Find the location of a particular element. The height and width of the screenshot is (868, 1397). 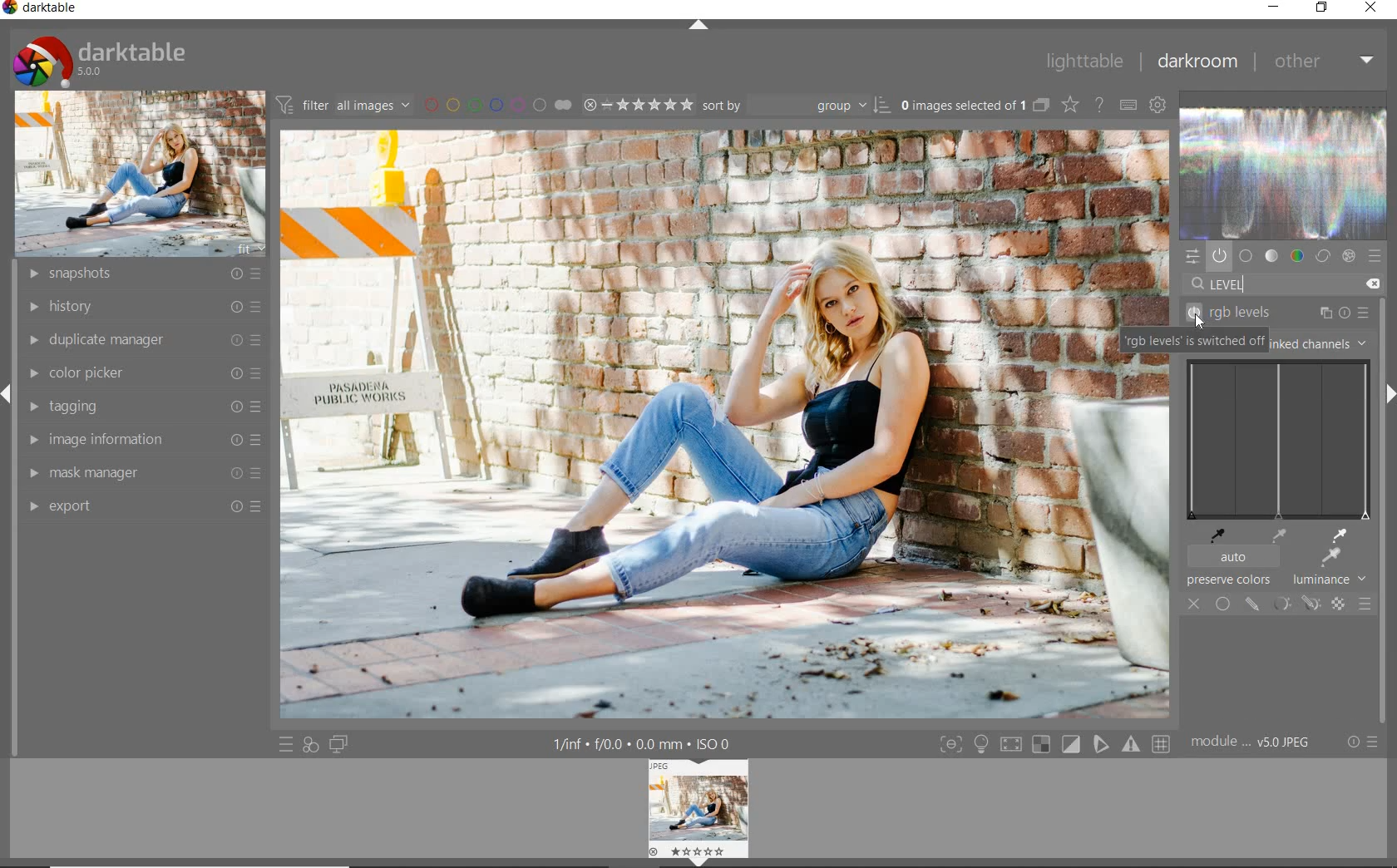

collapse grouped images is located at coordinates (1042, 106).